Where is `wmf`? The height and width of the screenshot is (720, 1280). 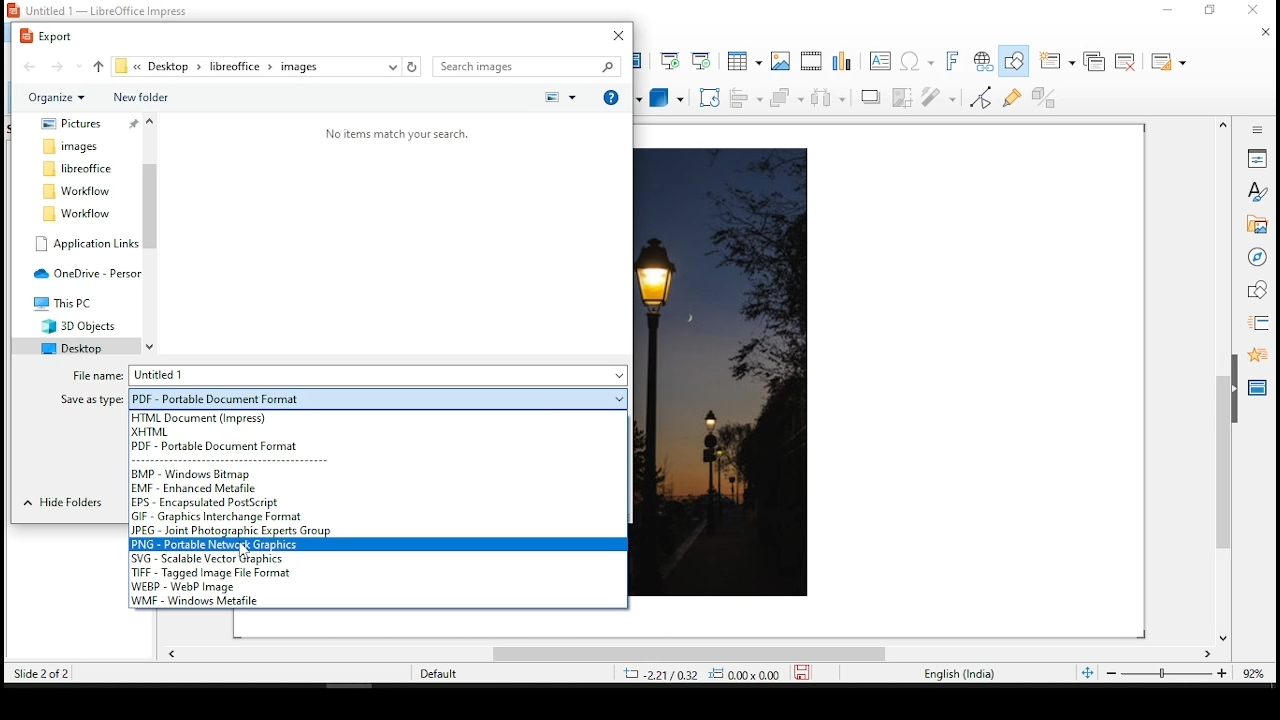 wmf is located at coordinates (243, 600).